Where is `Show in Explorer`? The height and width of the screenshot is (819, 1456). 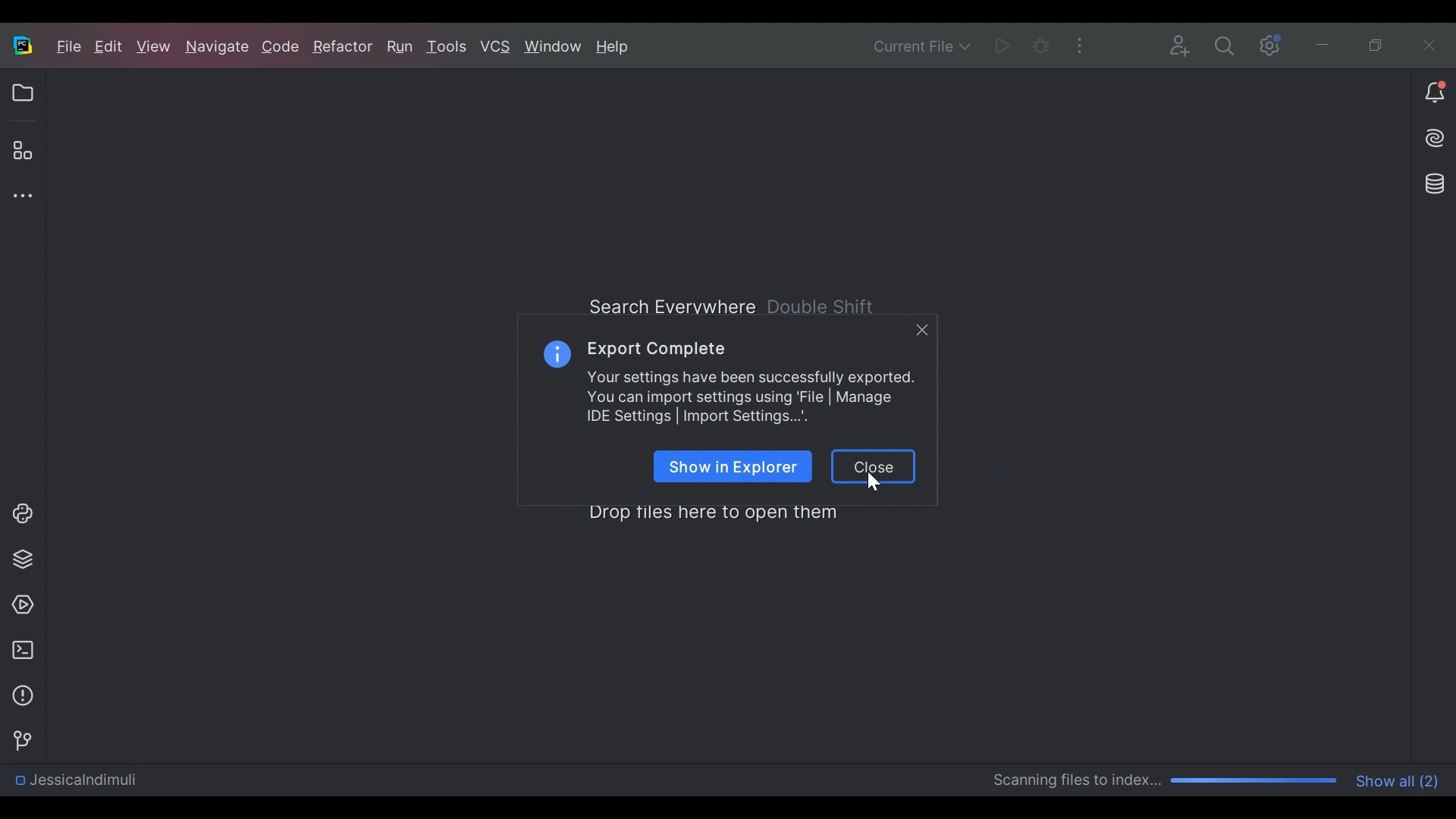
Show in Explorer is located at coordinates (734, 466).